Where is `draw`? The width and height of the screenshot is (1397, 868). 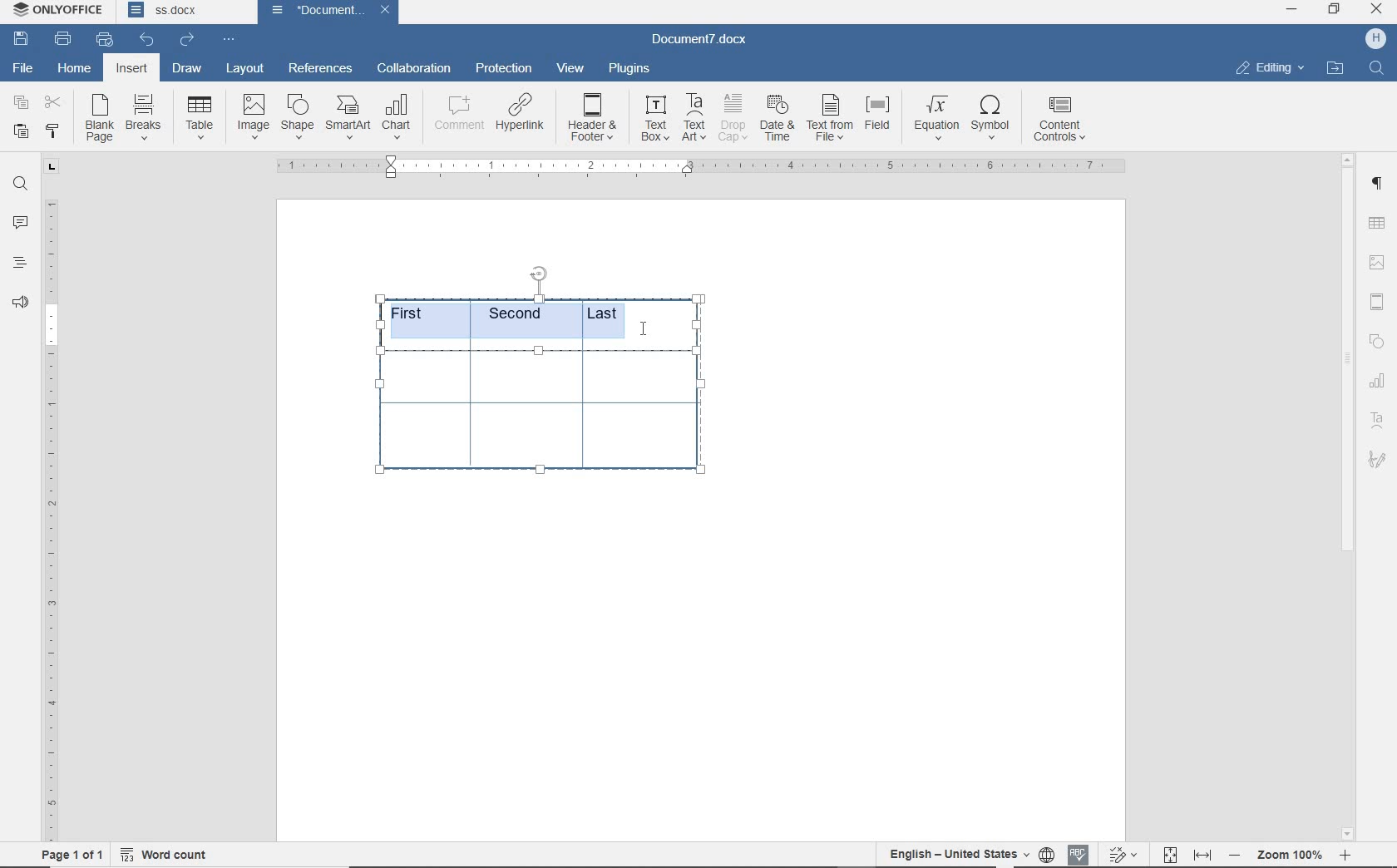
draw is located at coordinates (185, 68).